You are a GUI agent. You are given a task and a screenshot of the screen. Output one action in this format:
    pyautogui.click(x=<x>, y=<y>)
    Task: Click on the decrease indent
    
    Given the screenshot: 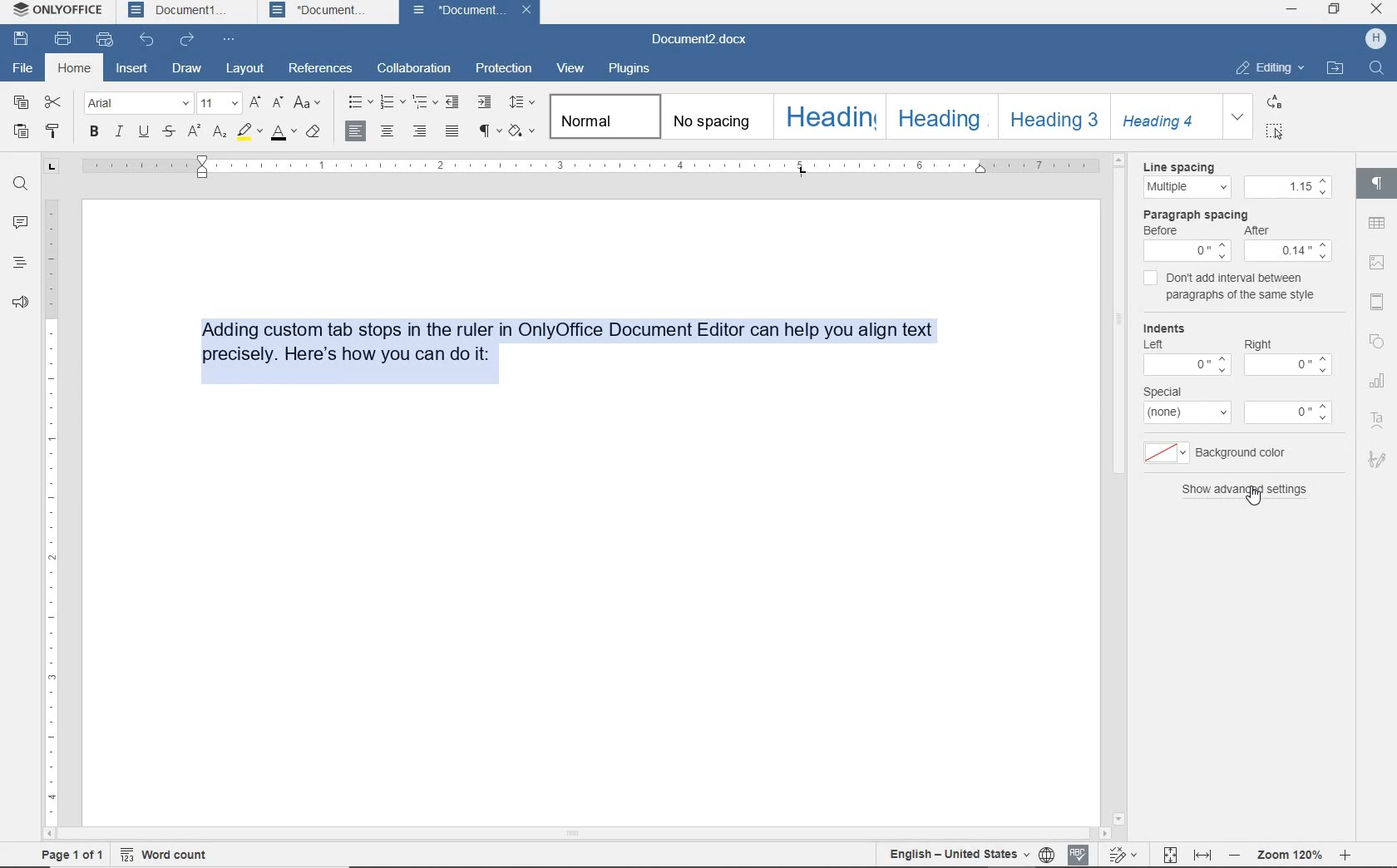 What is the action you would take?
    pyautogui.click(x=452, y=104)
    